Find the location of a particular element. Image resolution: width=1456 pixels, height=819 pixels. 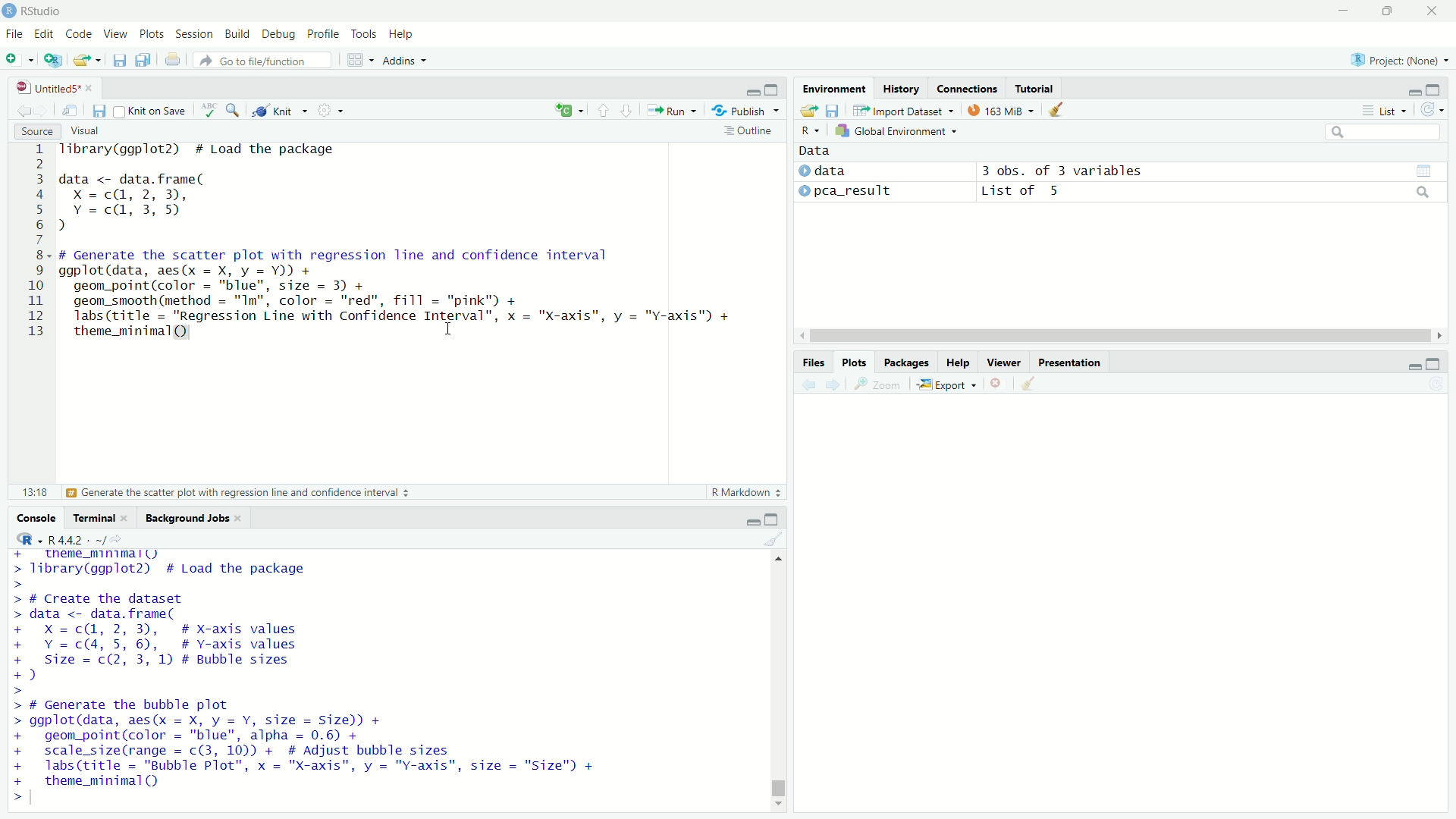

Generate the scatter plot with regression line and confidence interval is located at coordinates (239, 492).